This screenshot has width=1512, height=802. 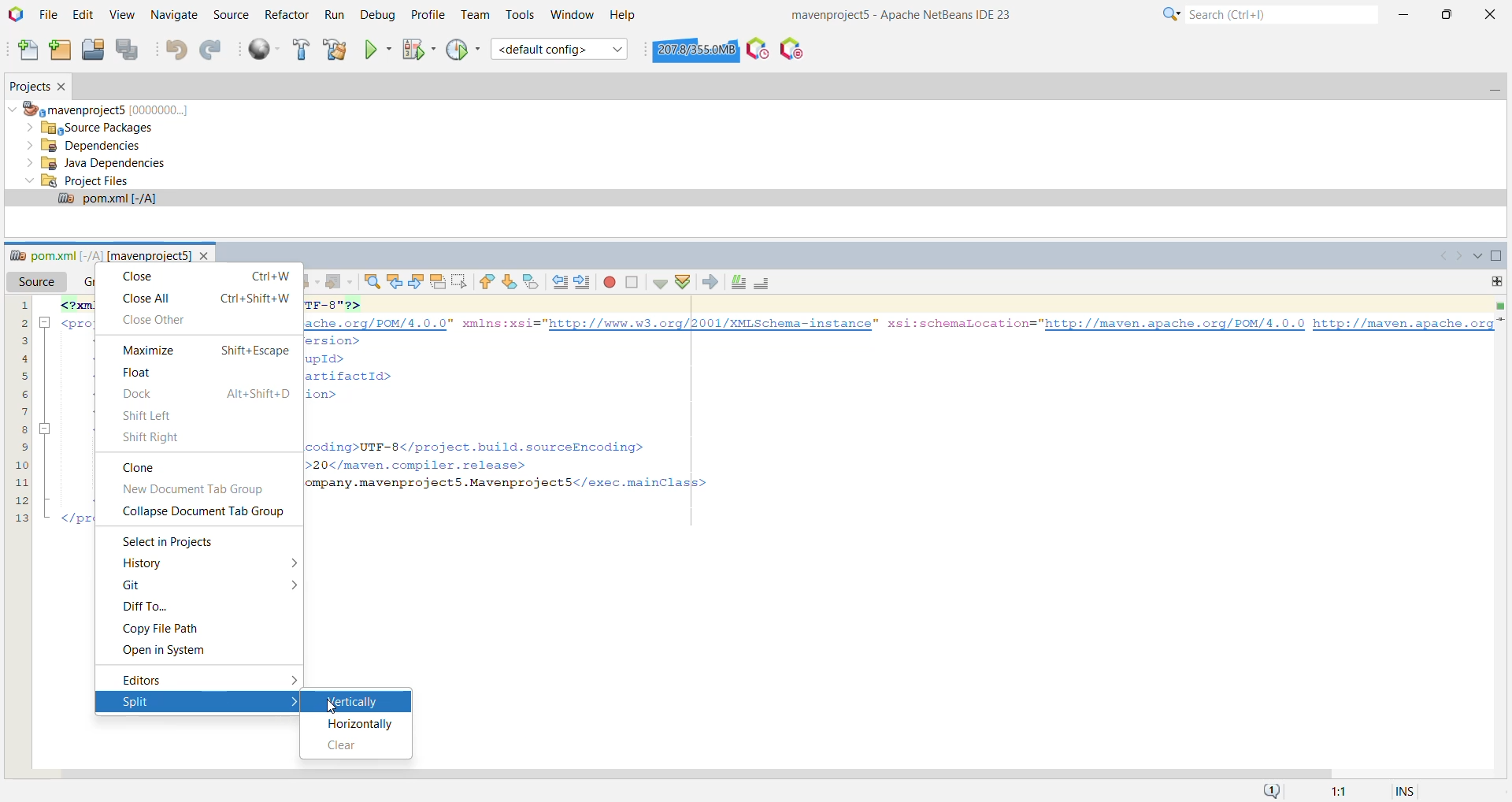 I want to click on pom.xml file opened, so click(x=754, y=200).